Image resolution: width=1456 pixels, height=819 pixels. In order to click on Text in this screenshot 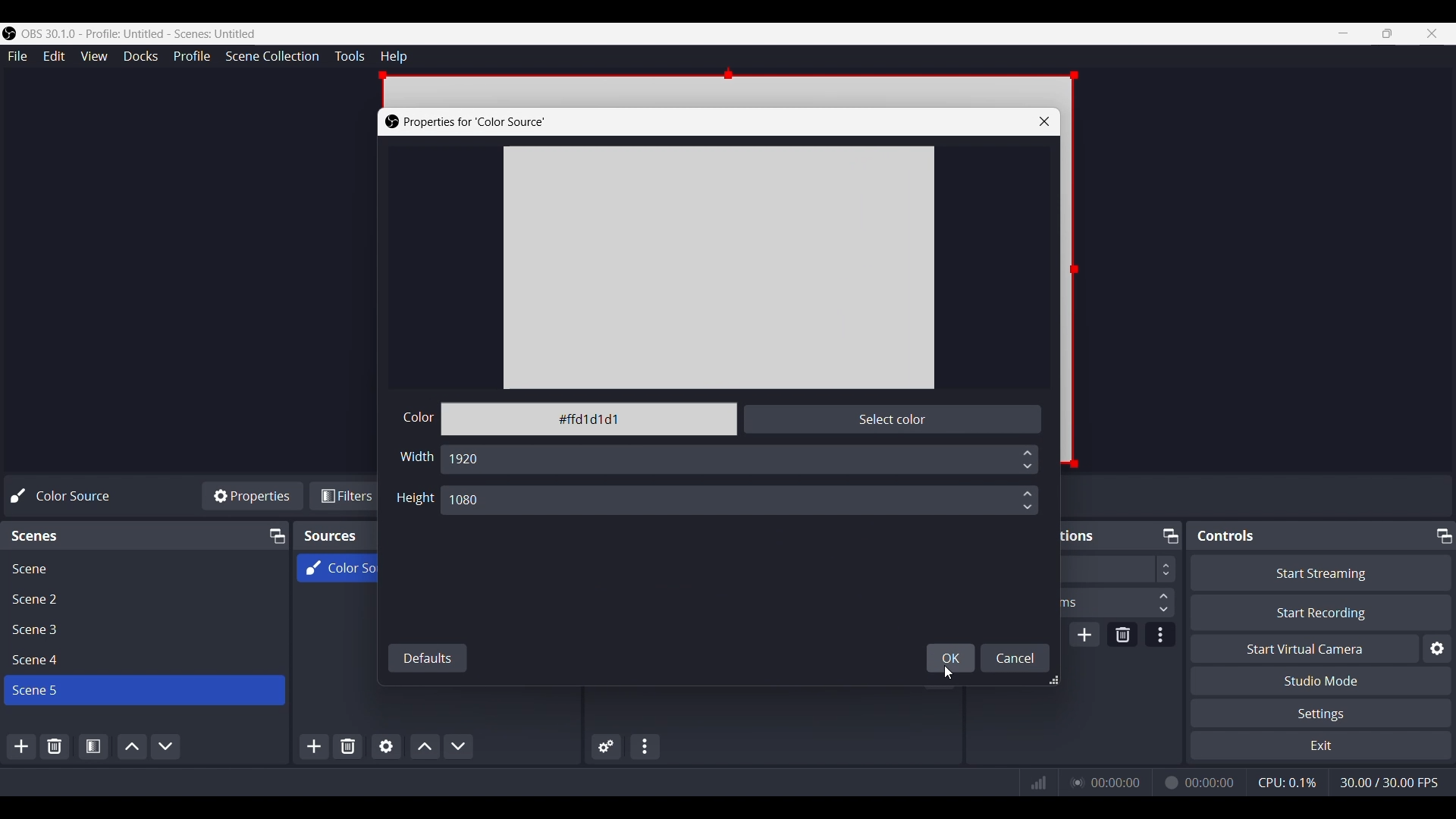, I will do `click(1225, 535)`.